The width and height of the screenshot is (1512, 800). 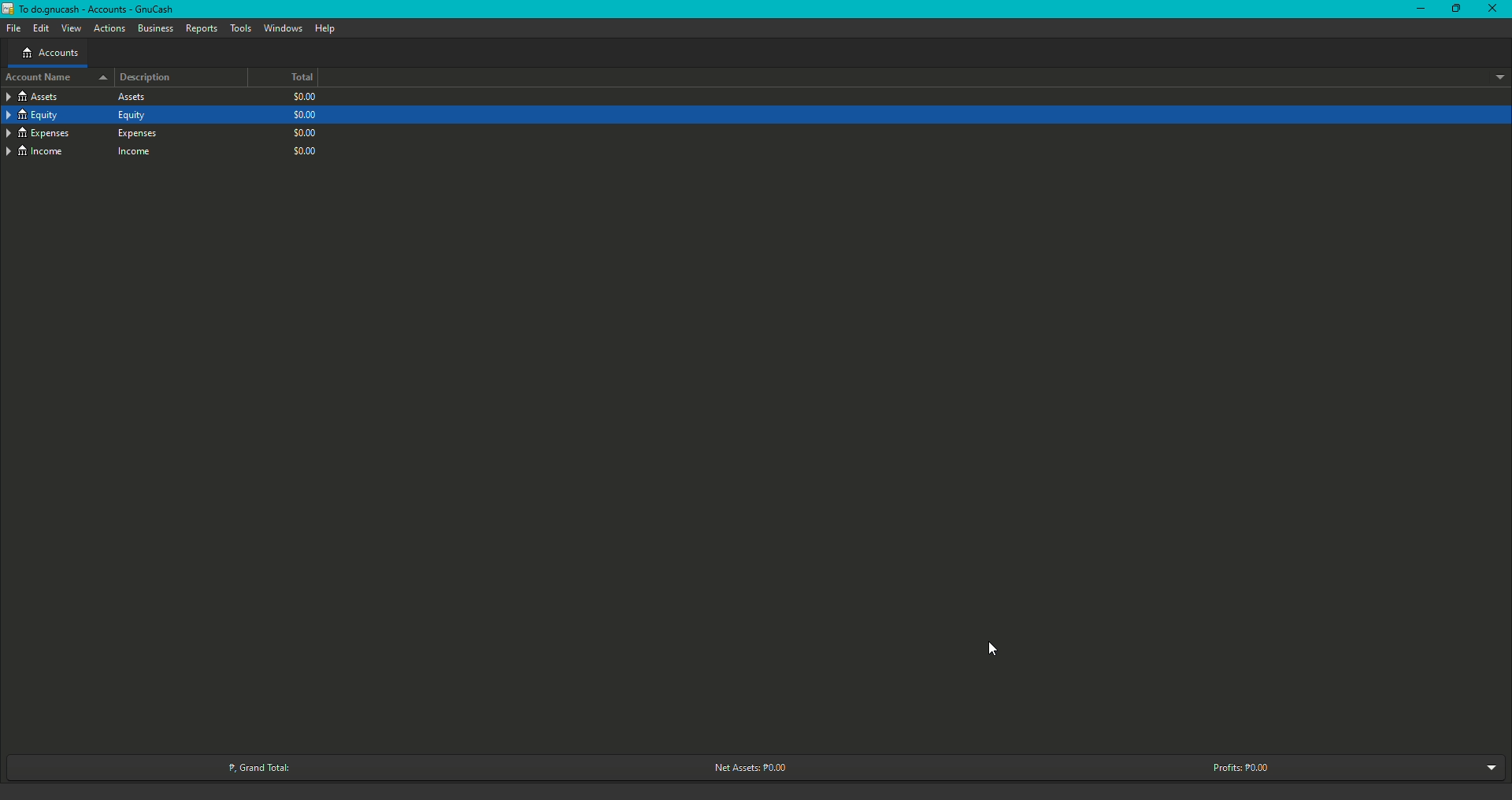 I want to click on Actions, so click(x=109, y=29).